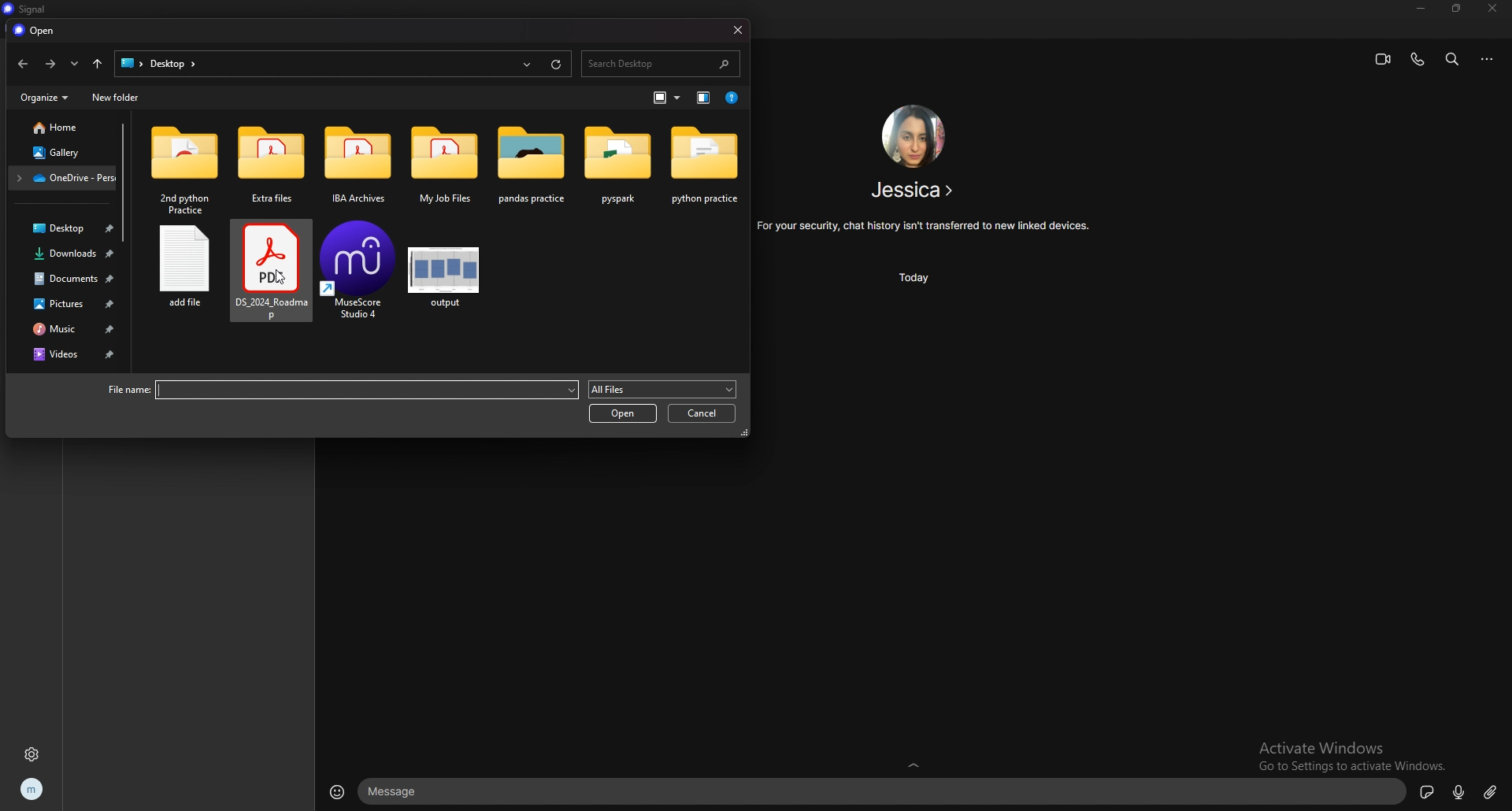 The width and height of the screenshot is (1512, 811). I want to click on contact name, so click(915, 190).